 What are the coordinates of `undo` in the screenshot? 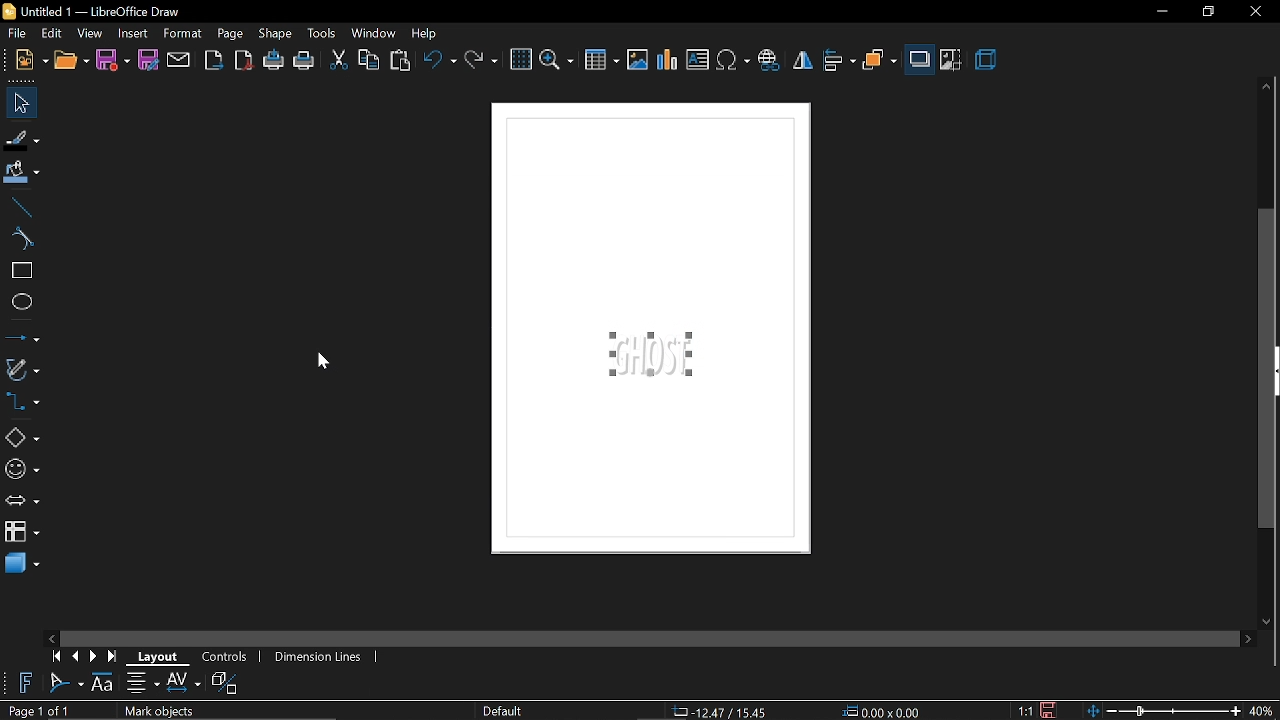 It's located at (439, 62).